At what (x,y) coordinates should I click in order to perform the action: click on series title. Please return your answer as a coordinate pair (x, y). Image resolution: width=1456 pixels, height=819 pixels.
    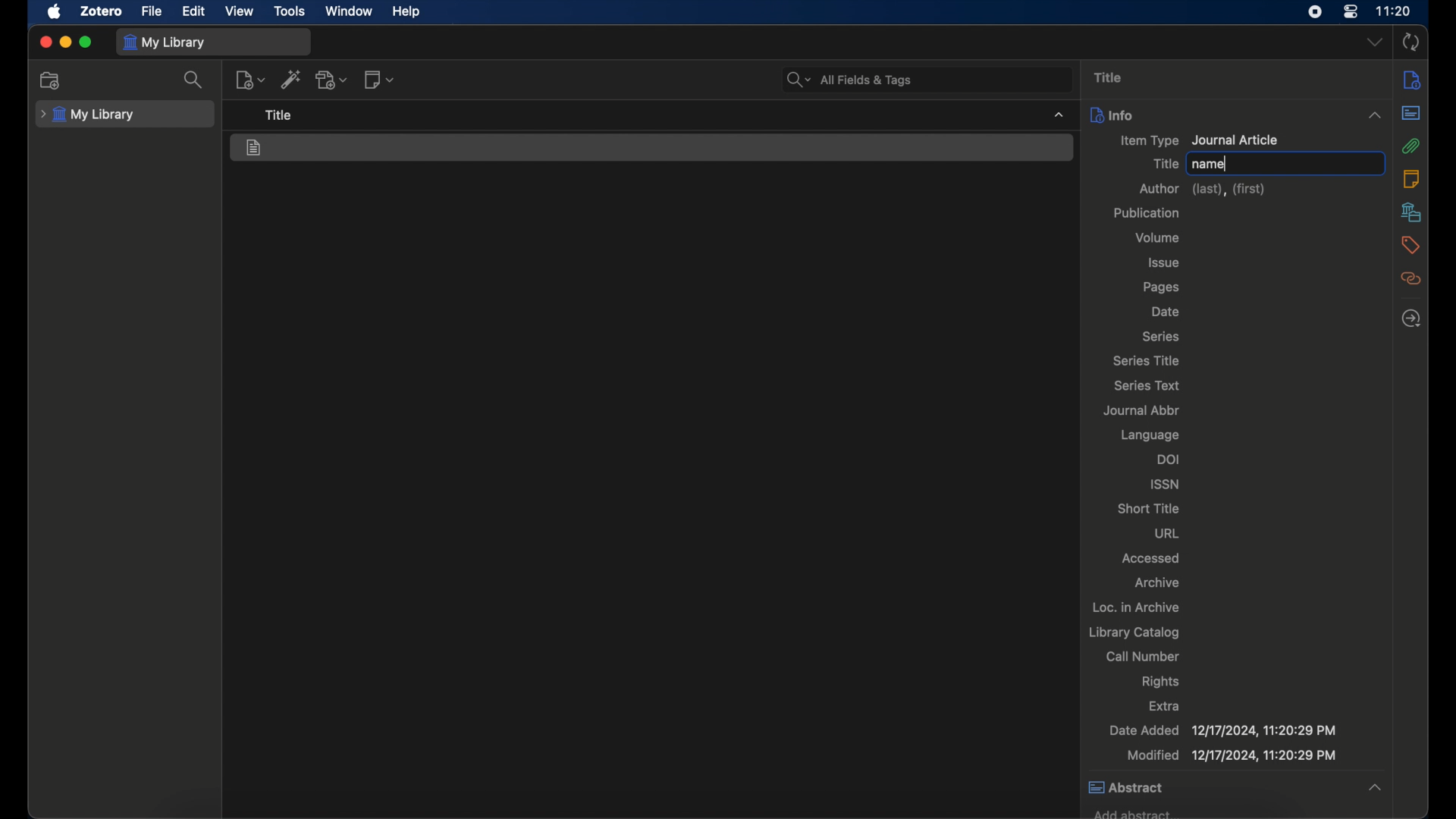
    Looking at the image, I should click on (1147, 362).